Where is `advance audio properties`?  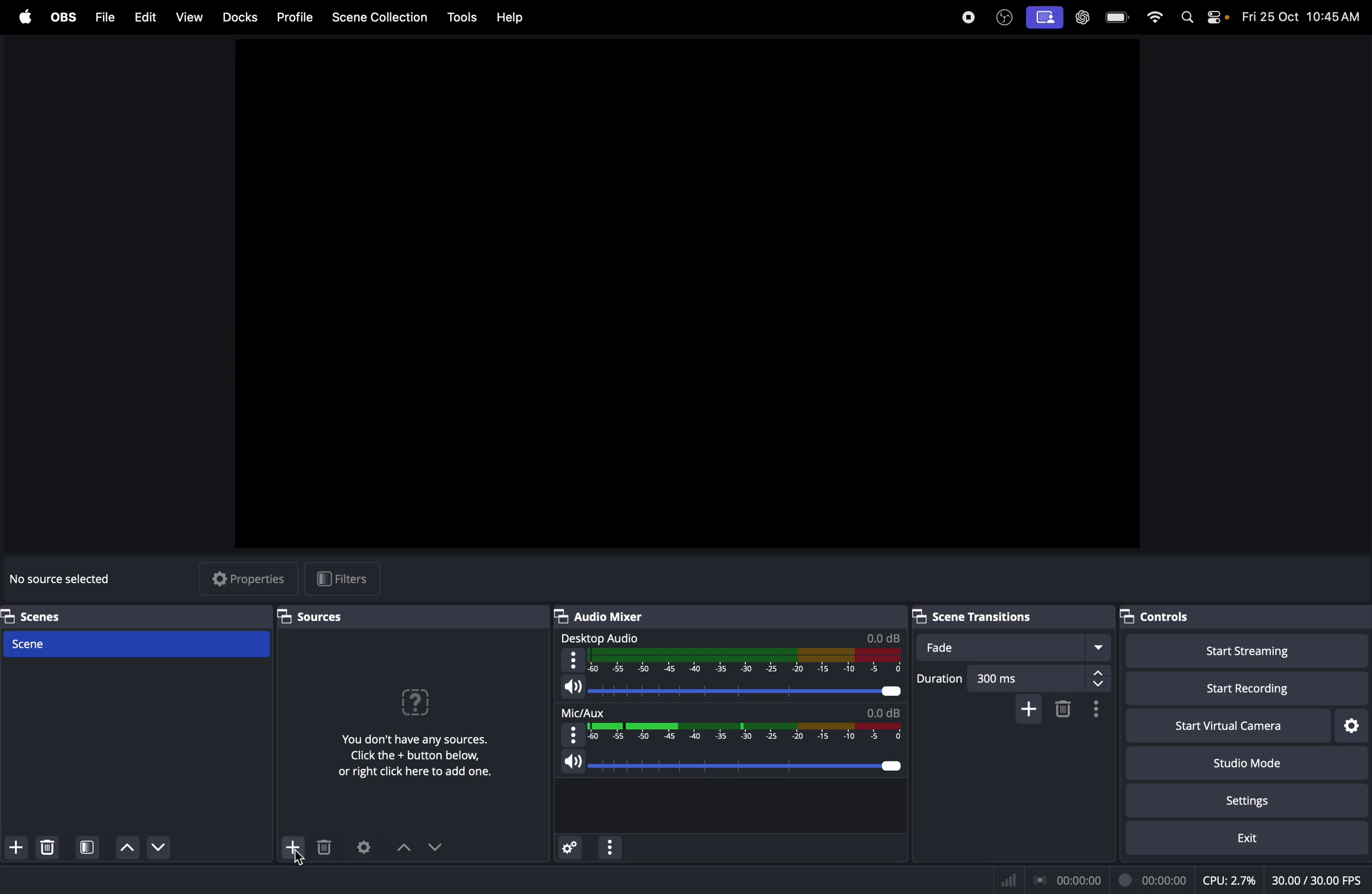 advance audio properties is located at coordinates (571, 848).